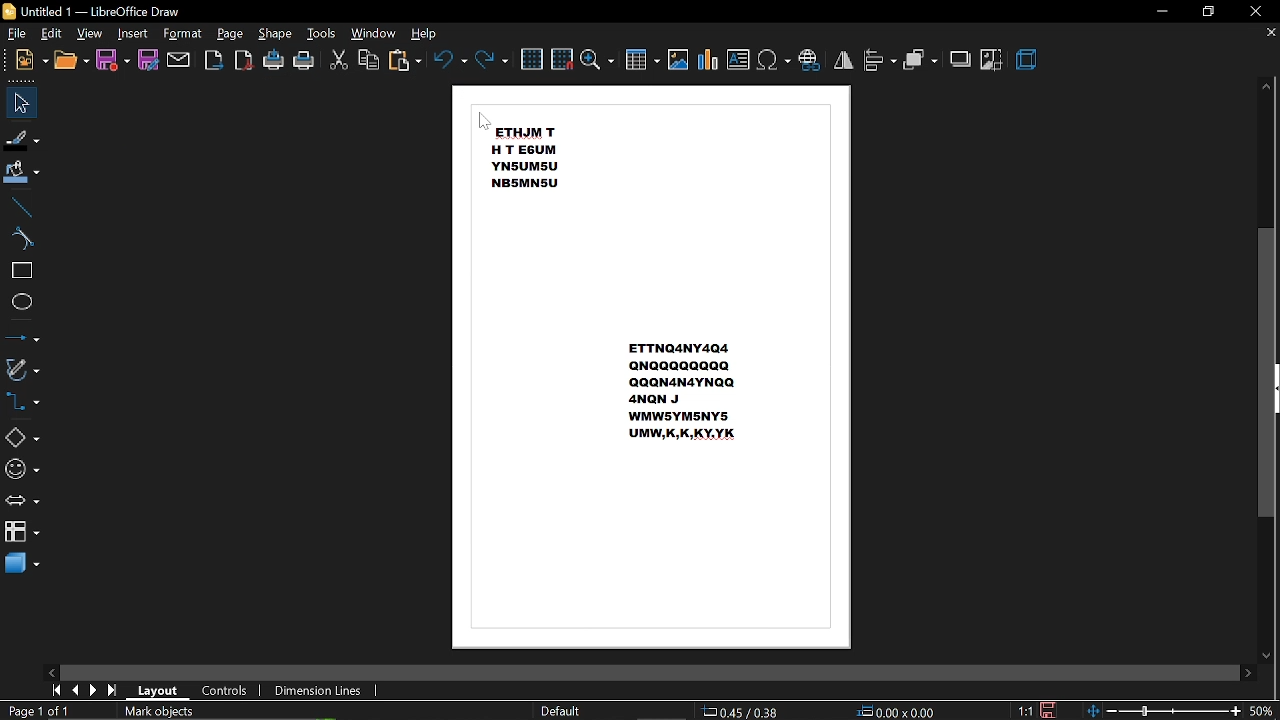  What do you see at coordinates (493, 60) in the screenshot?
I see `redo` at bounding box center [493, 60].